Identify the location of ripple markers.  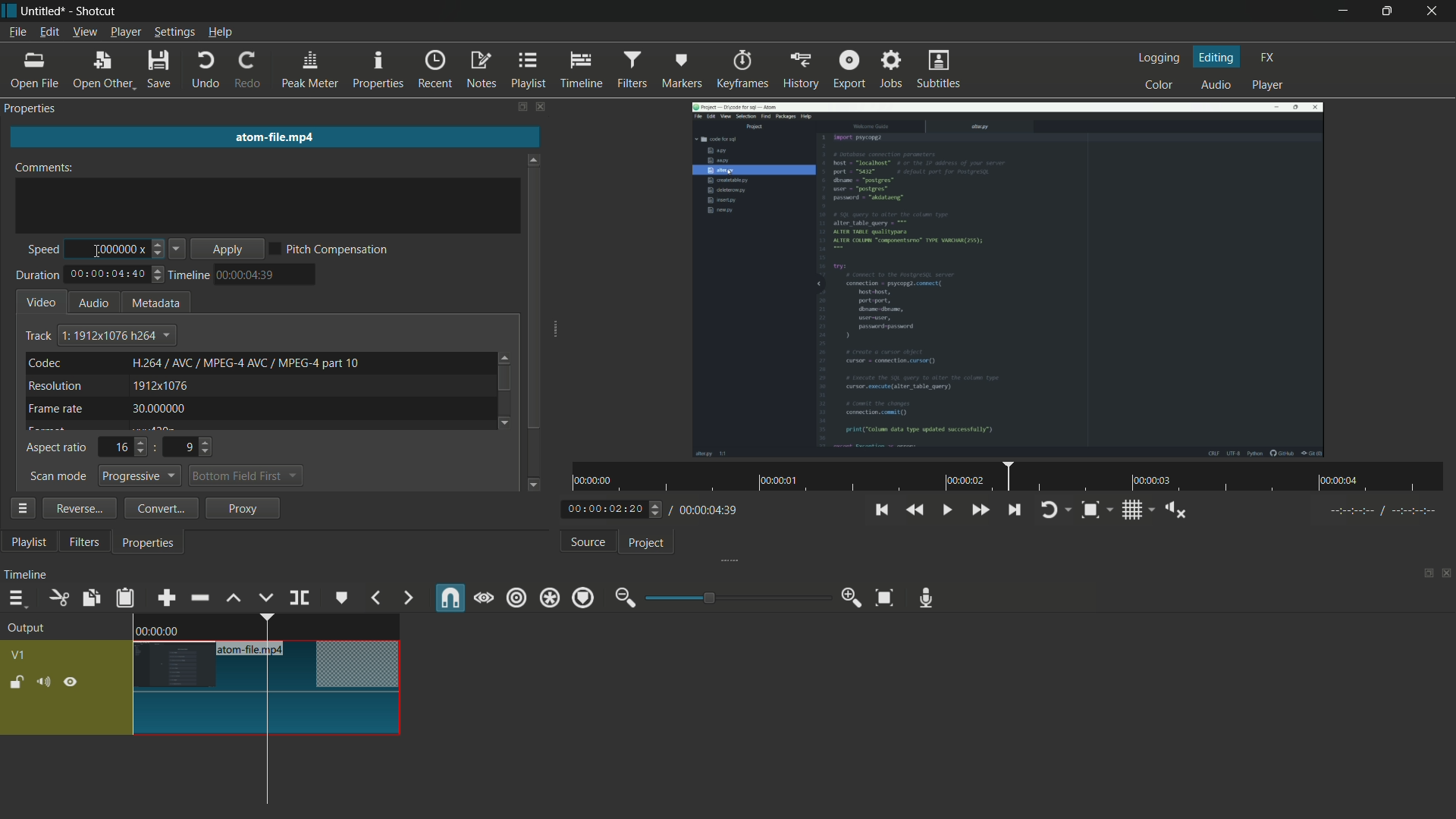
(585, 598).